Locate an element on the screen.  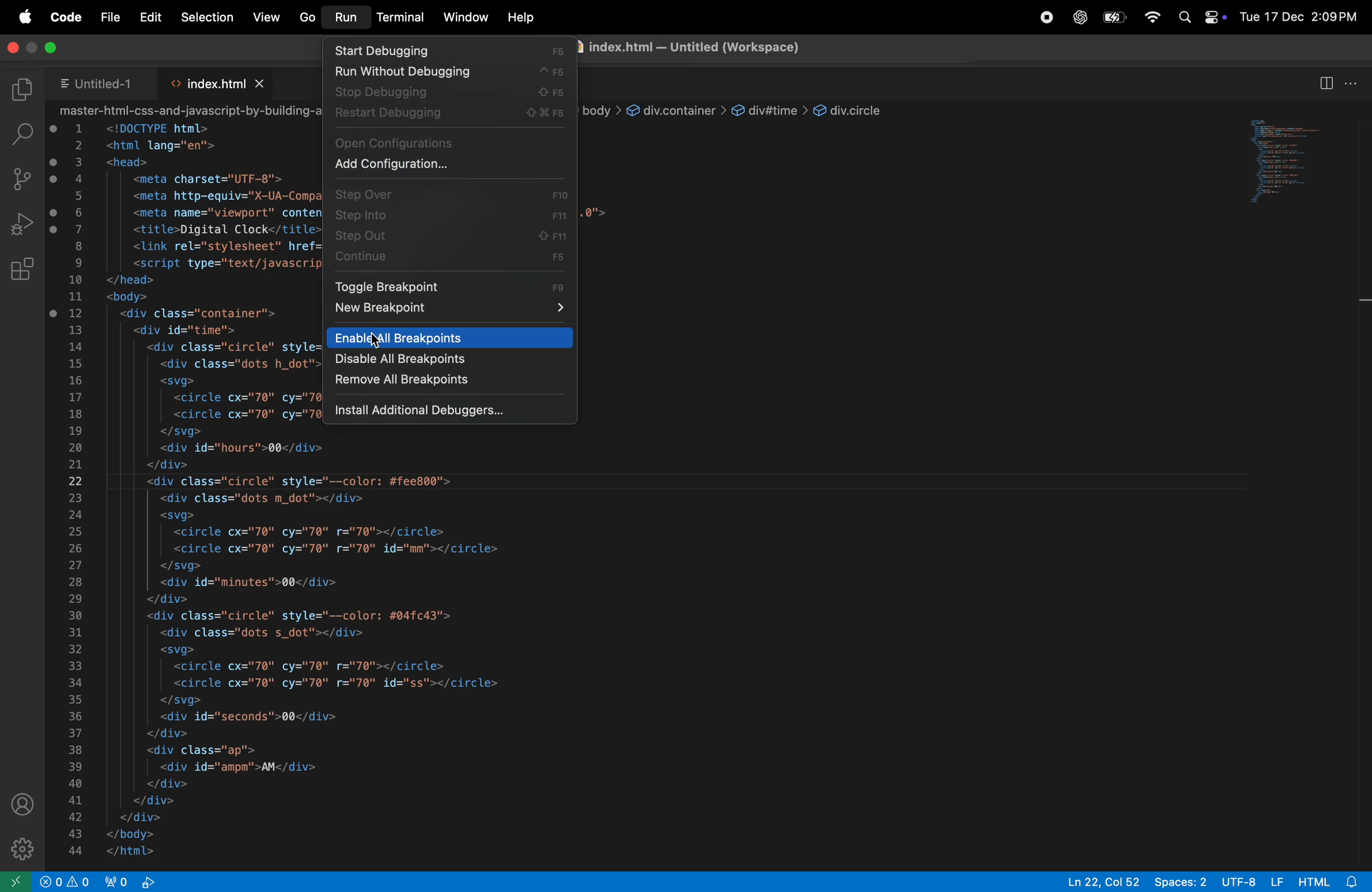
enable all breakpoints is located at coordinates (450, 337).